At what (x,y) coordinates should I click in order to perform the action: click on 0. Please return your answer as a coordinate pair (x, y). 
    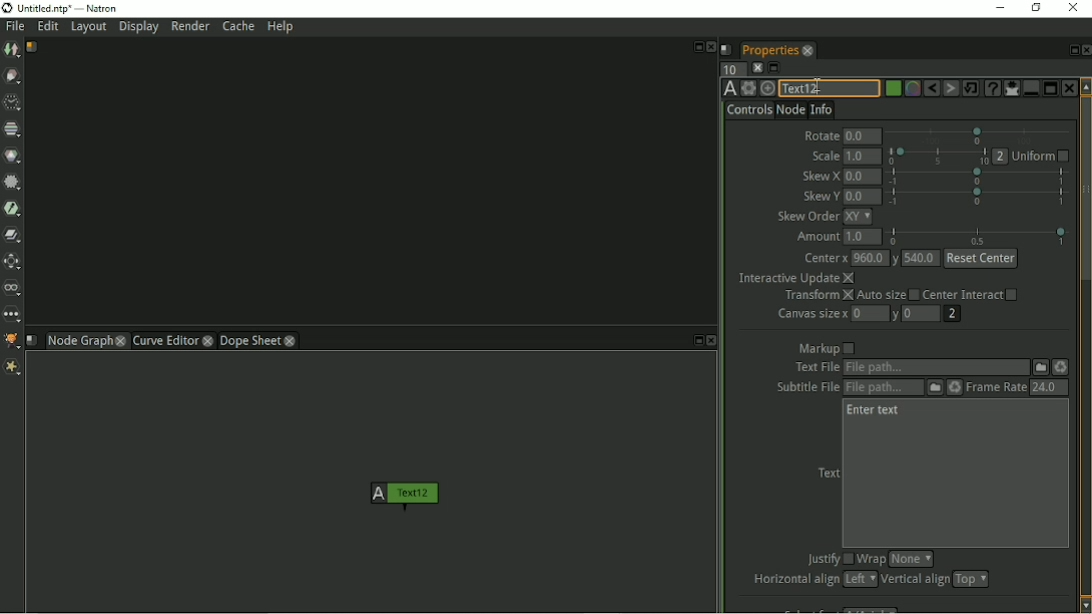
    Looking at the image, I should click on (870, 312).